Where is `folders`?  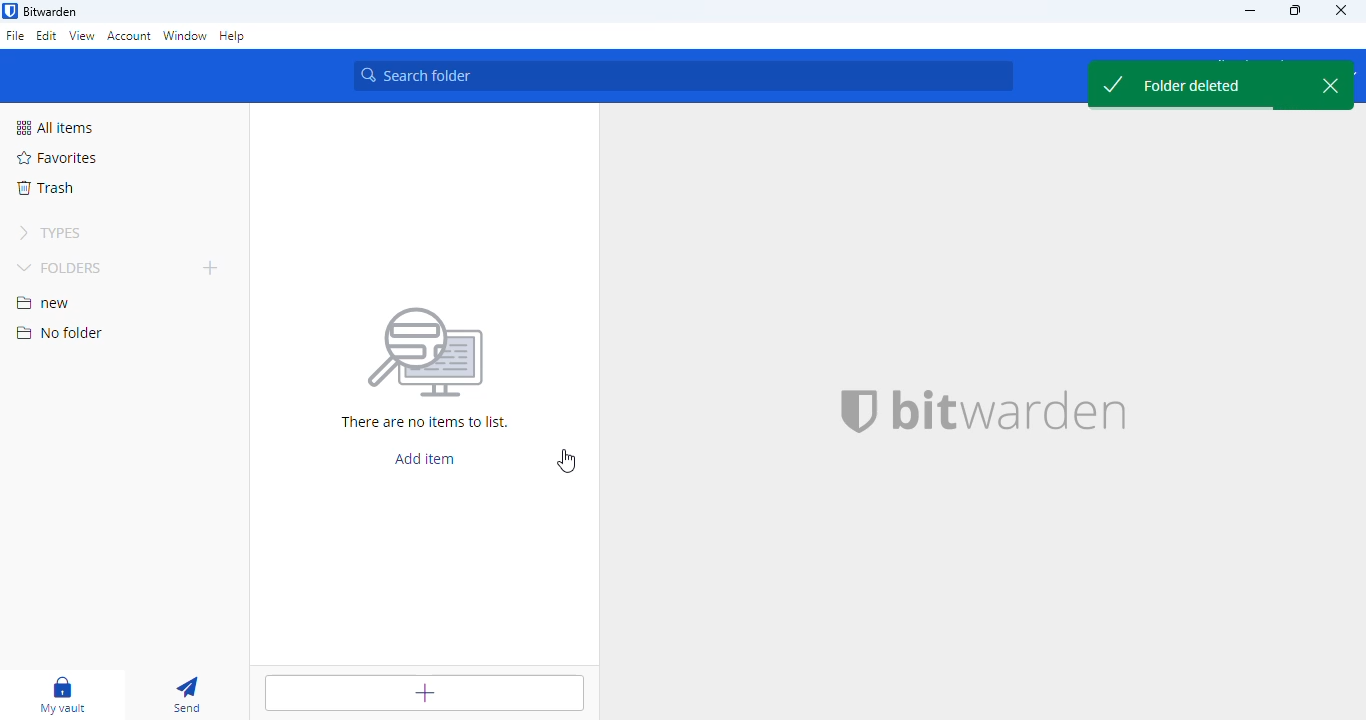
folders is located at coordinates (61, 268).